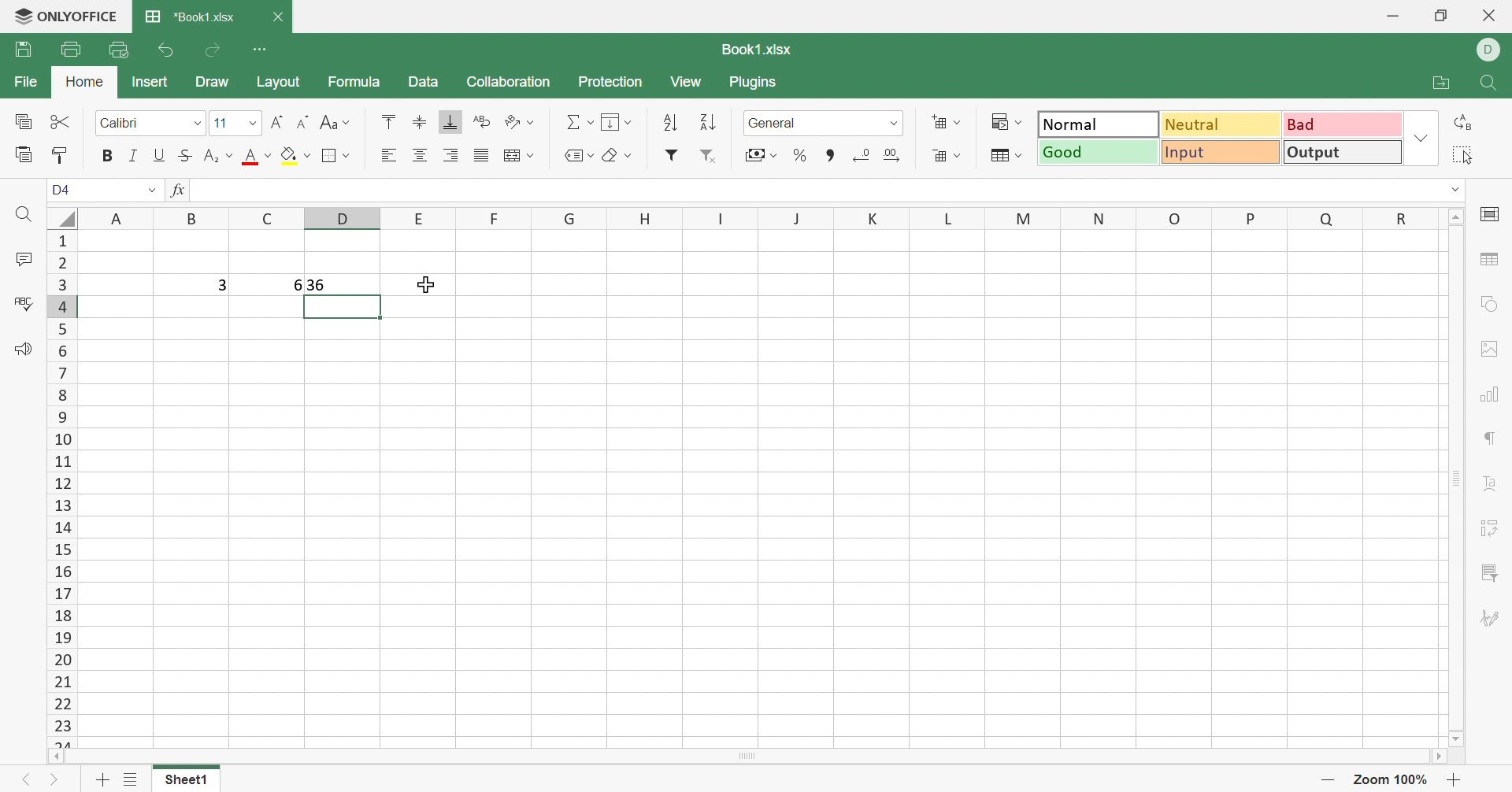 The width and height of the screenshot is (1512, 792). What do you see at coordinates (1396, 13) in the screenshot?
I see `Minimize` at bounding box center [1396, 13].